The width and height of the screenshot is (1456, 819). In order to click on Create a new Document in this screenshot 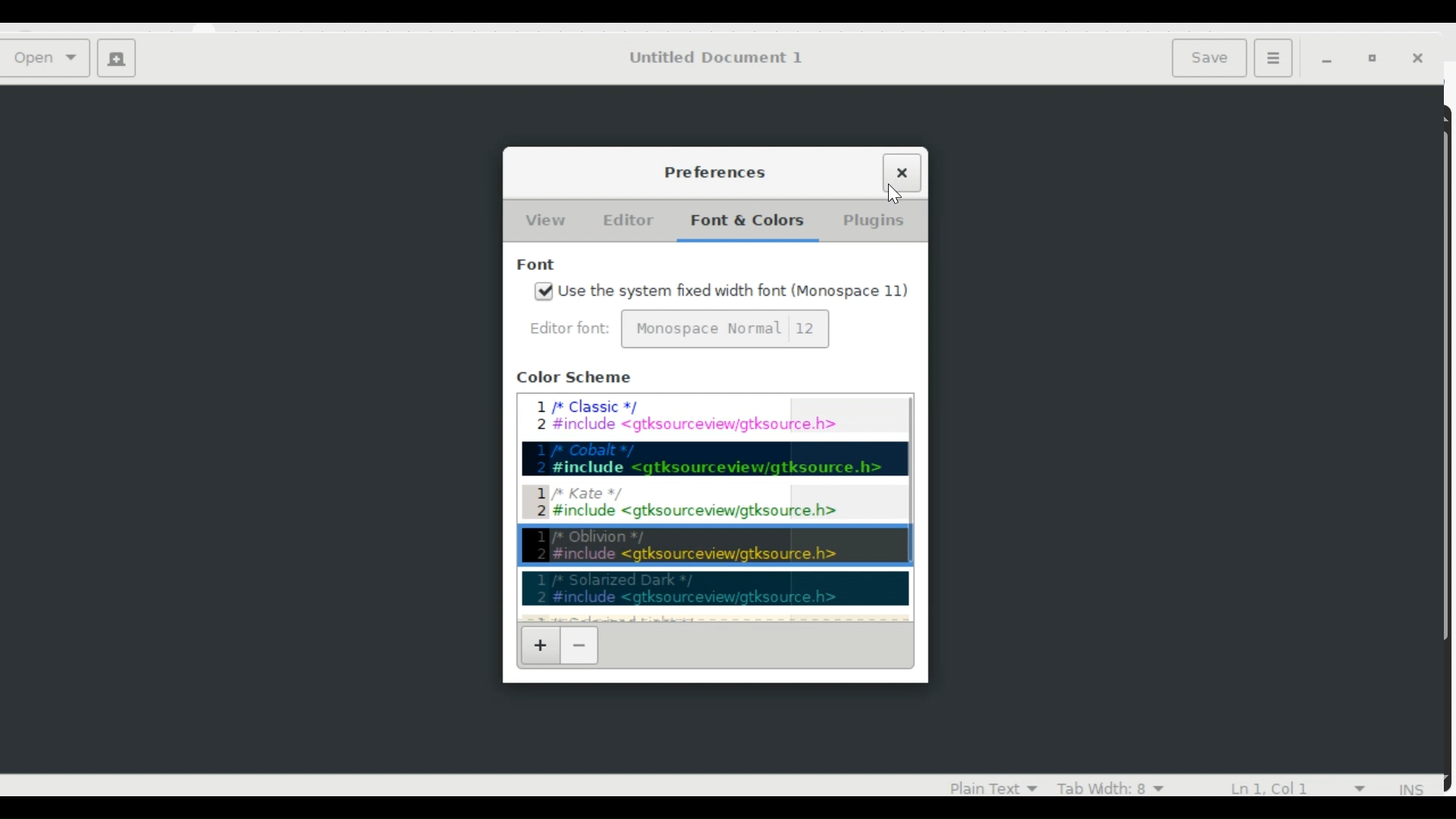, I will do `click(116, 60)`.